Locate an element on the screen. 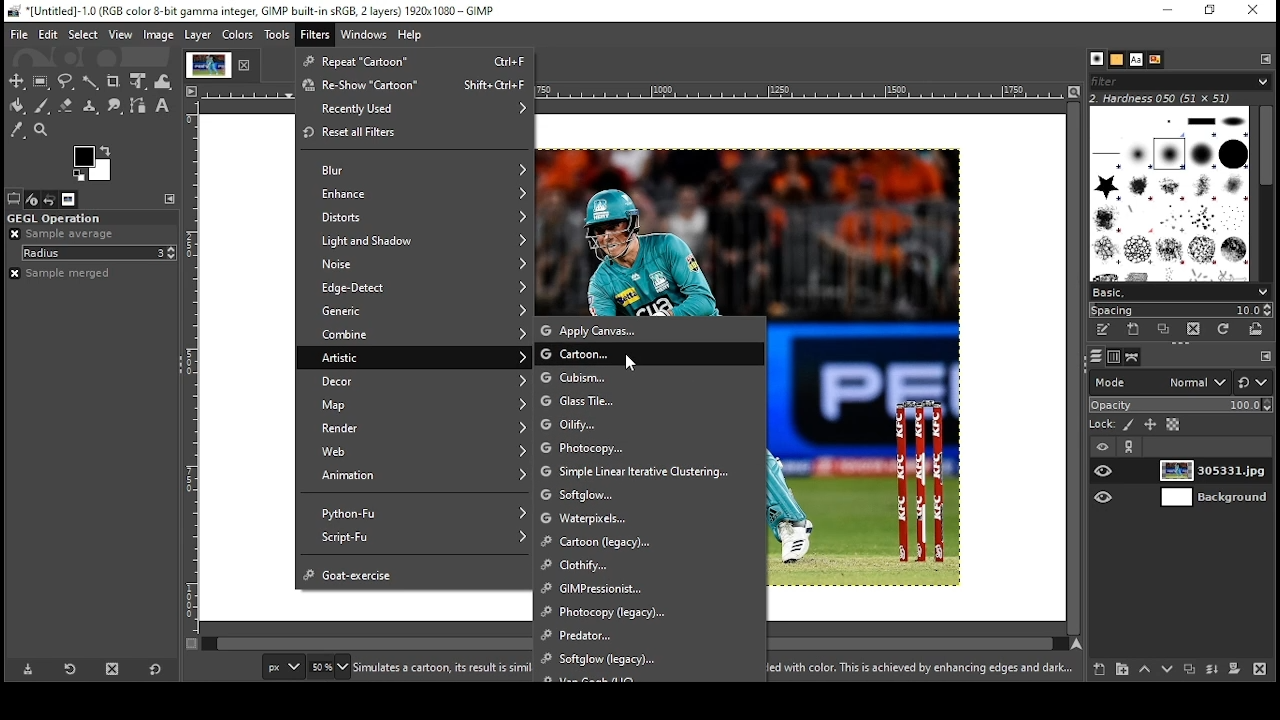 Image resolution: width=1280 pixels, height=720 pixels. sample average is located at coordinates (73, 234).